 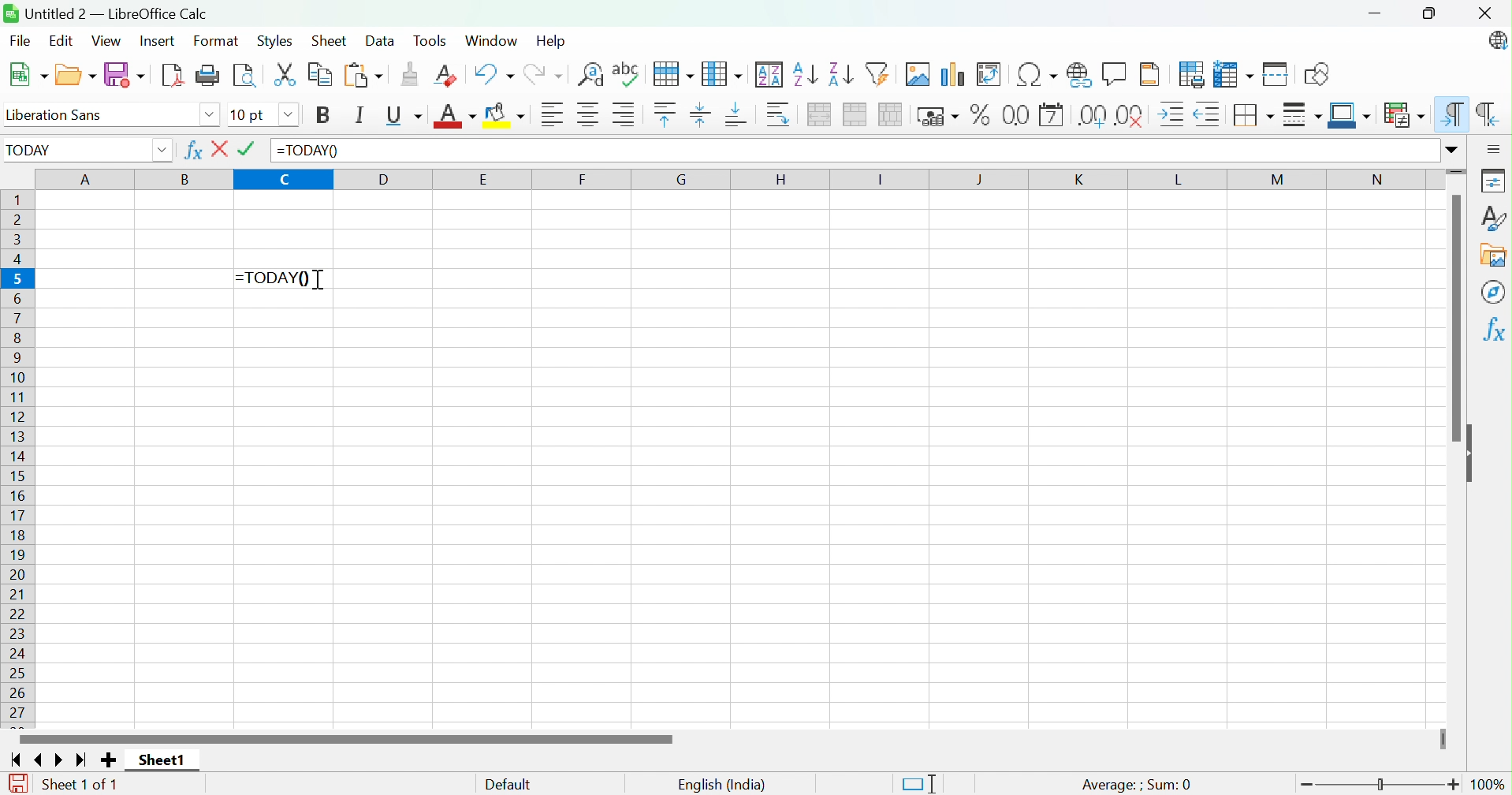 I want to click on Merge cells, so click(x=857, y=115).